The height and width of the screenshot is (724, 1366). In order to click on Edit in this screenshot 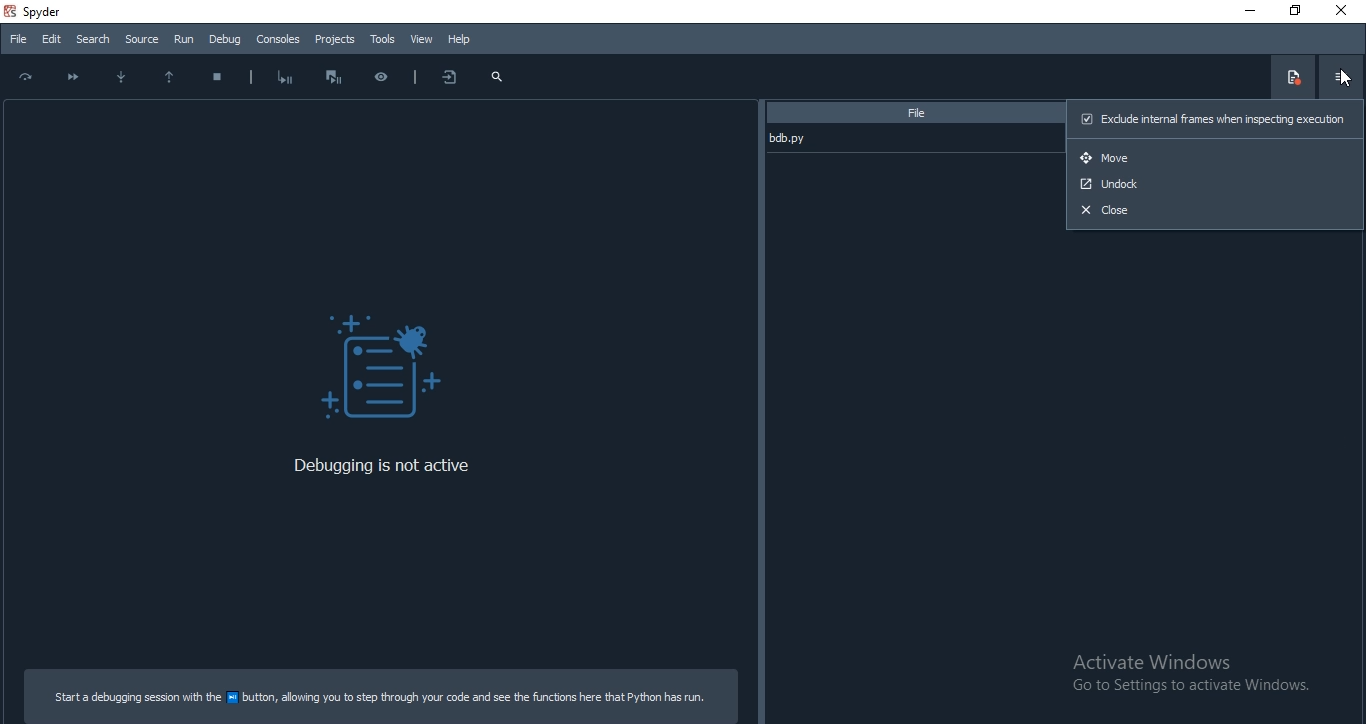, I will do `click(51, 39)`.